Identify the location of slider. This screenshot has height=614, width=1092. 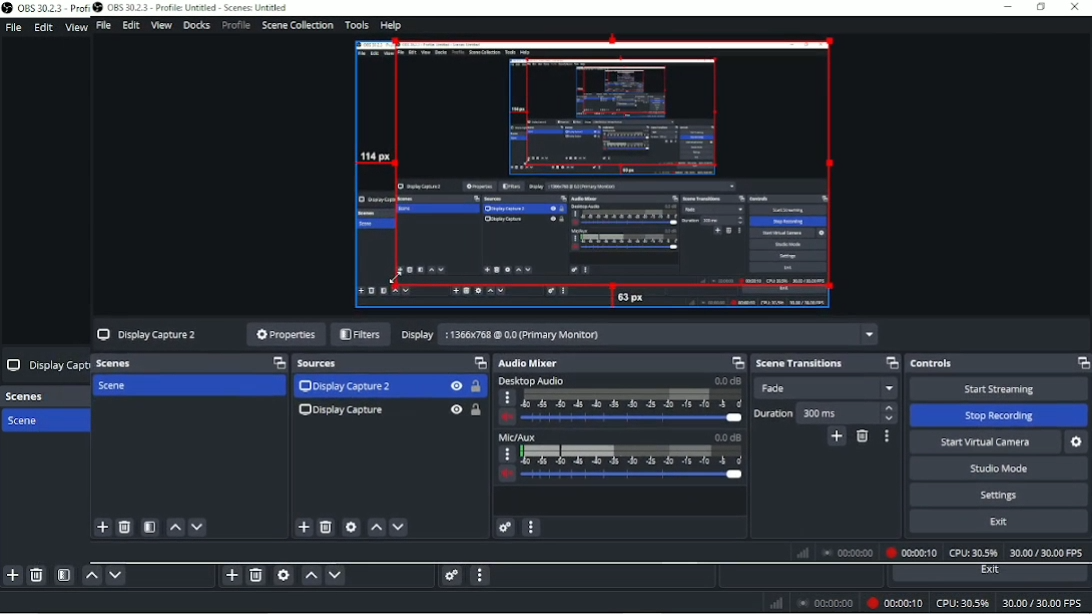
(634, 420).